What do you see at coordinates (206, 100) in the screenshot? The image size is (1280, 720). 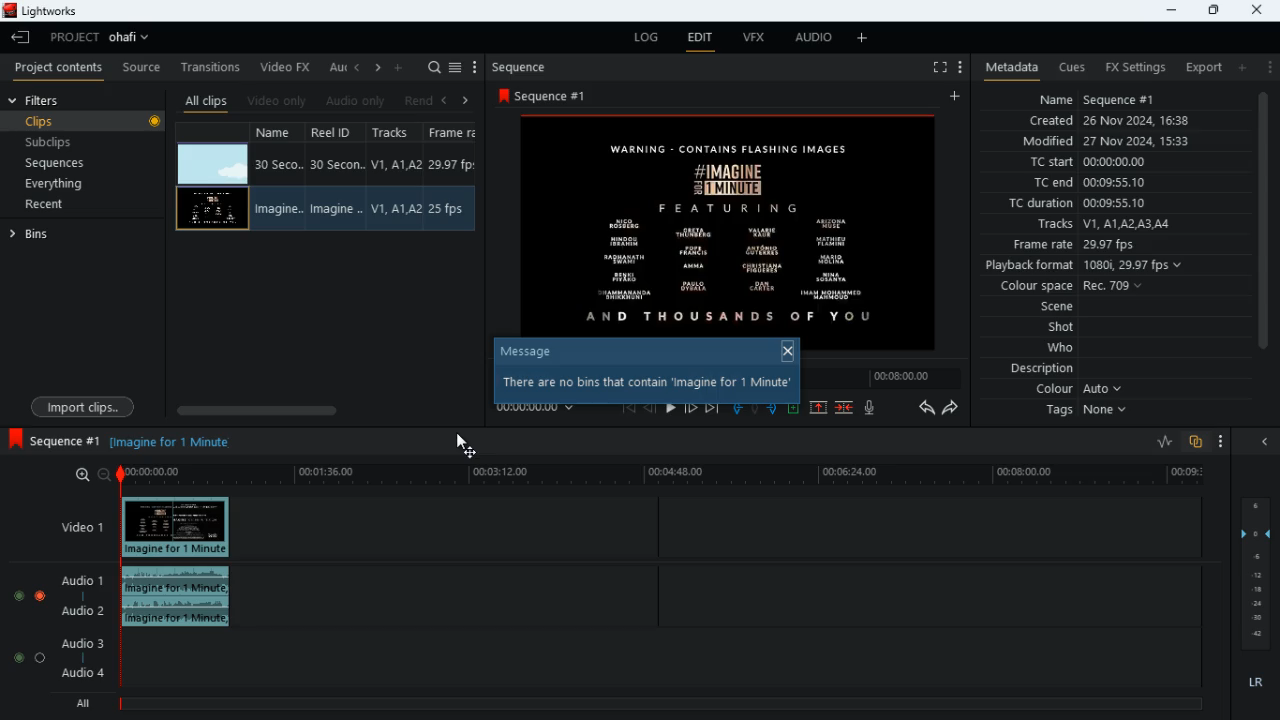 I see `all clips` at bounding box center [206, 100].